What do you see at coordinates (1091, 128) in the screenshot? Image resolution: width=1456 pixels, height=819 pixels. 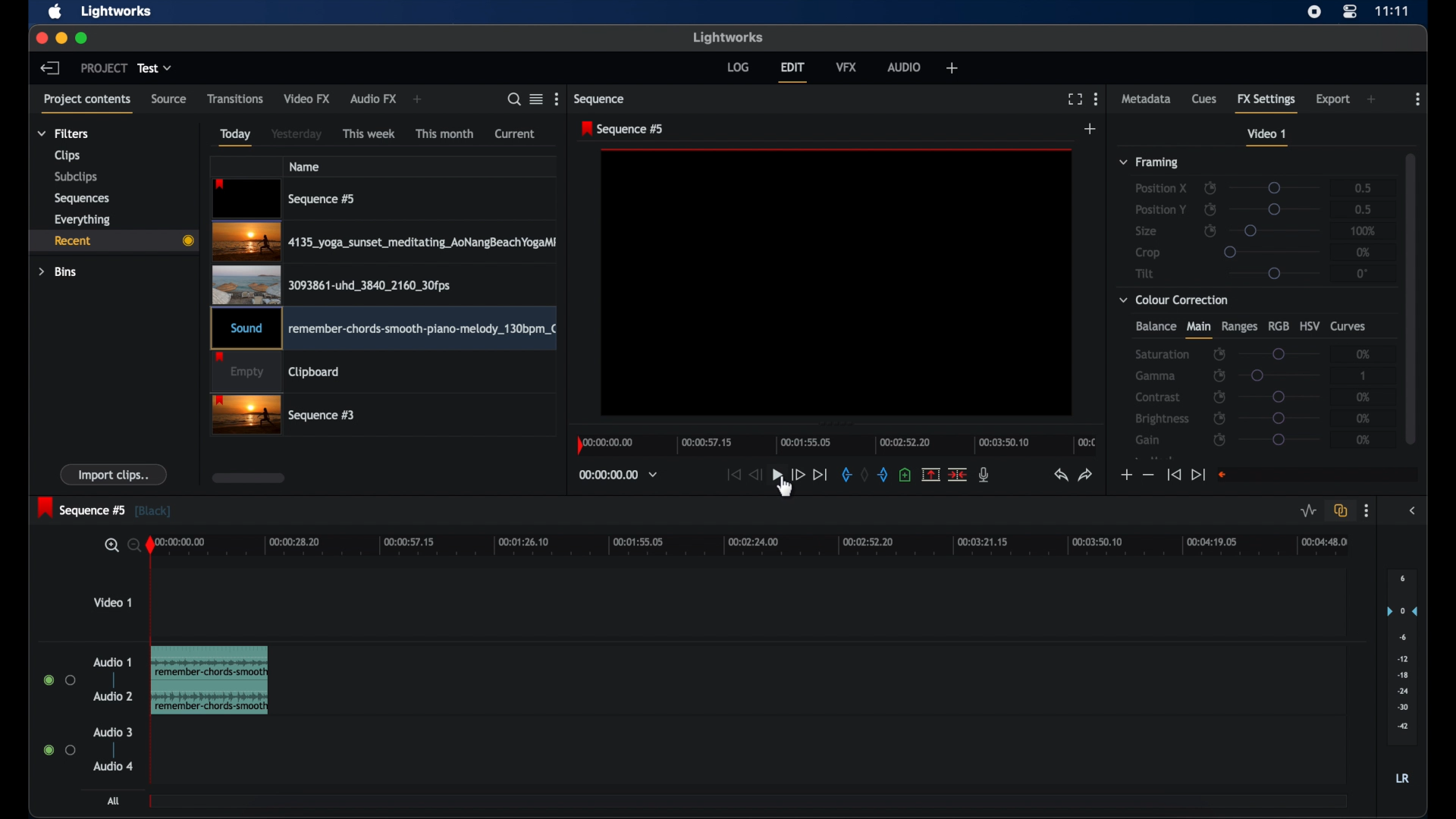 I see `add` at bounding box center [1091, 128].